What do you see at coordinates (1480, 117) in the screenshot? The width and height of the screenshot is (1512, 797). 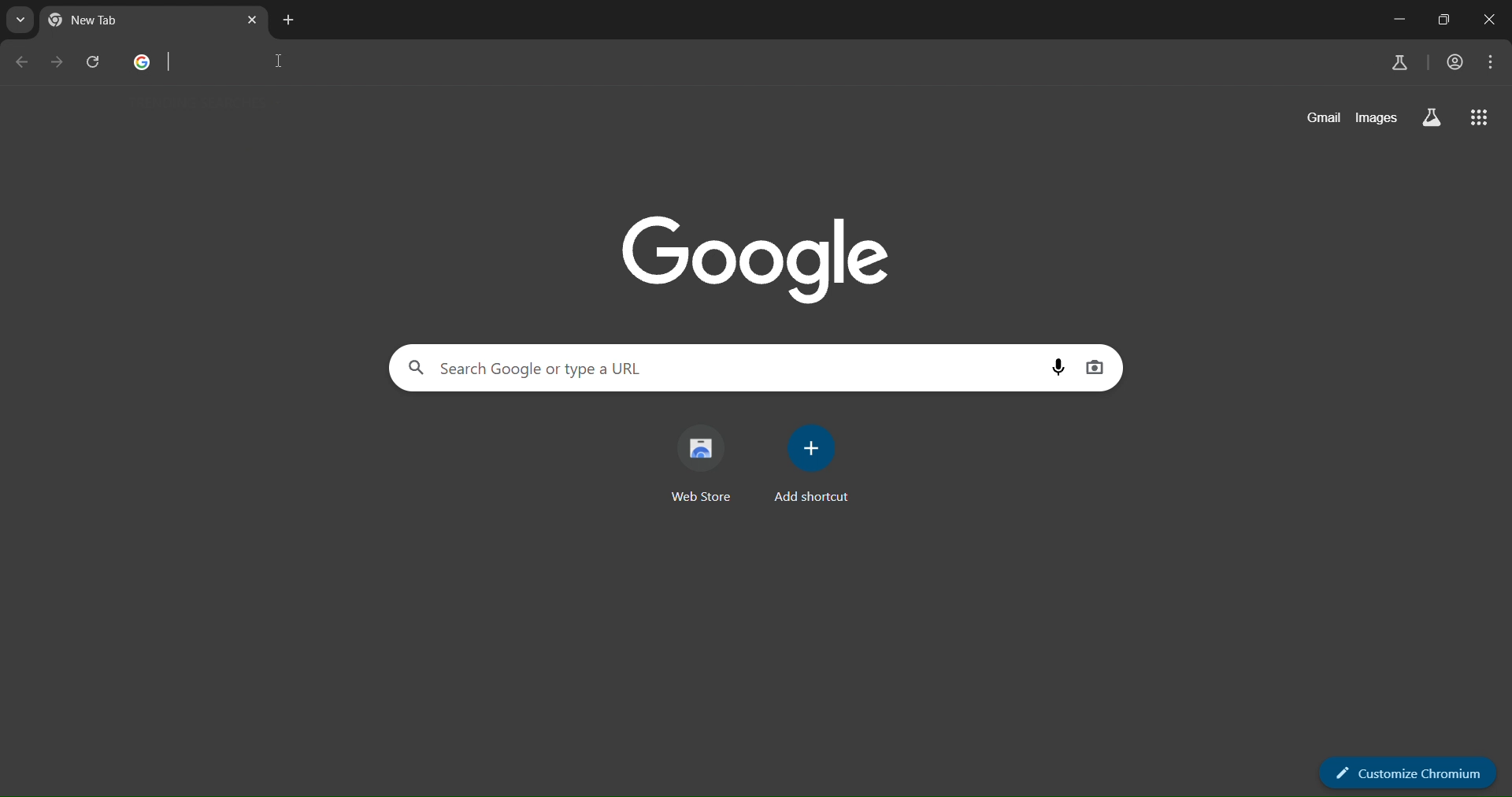 I see `google apps` at bounding box center [1480, 117].